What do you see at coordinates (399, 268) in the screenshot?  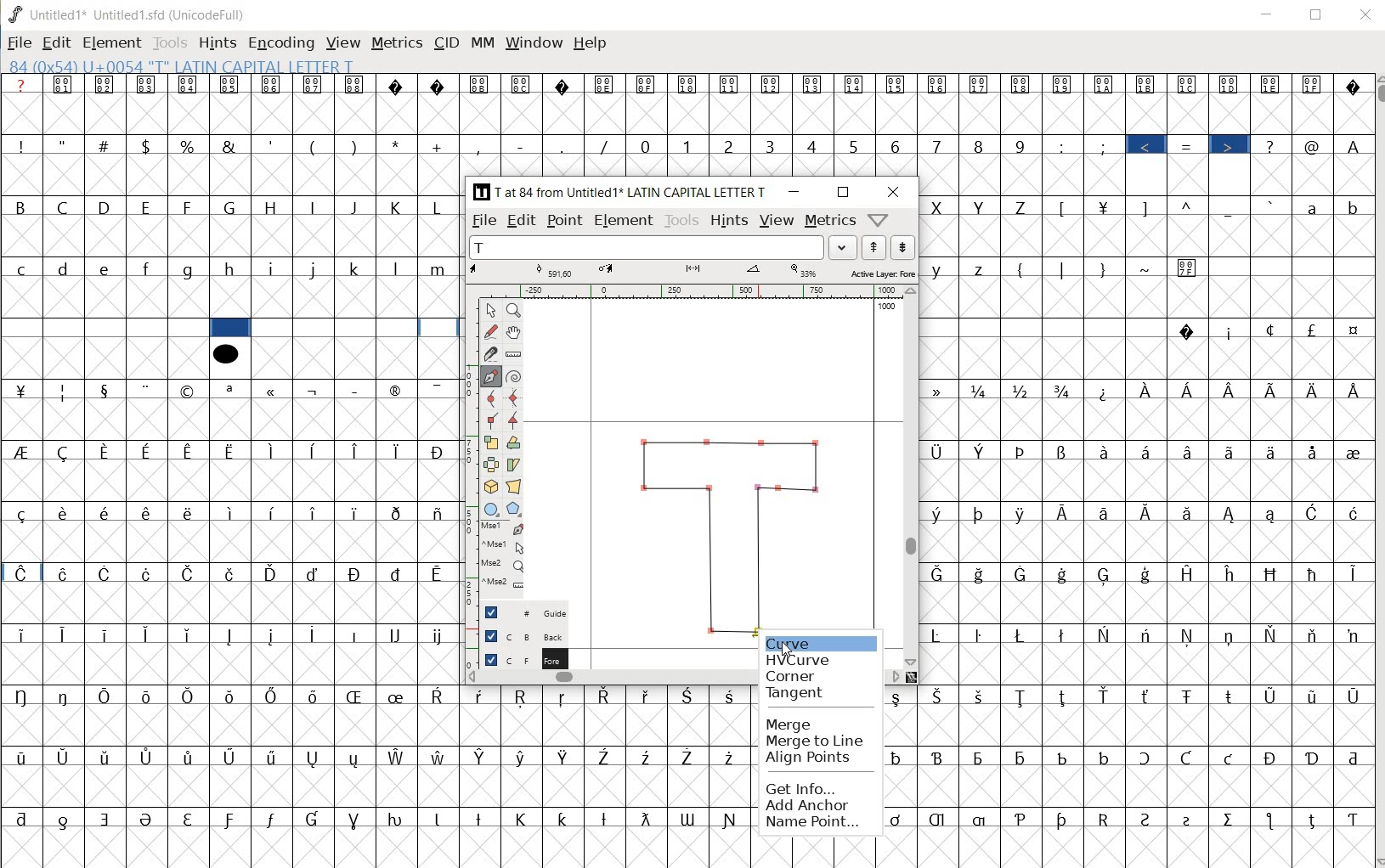 I see `l` at bounding box center [399, 268].